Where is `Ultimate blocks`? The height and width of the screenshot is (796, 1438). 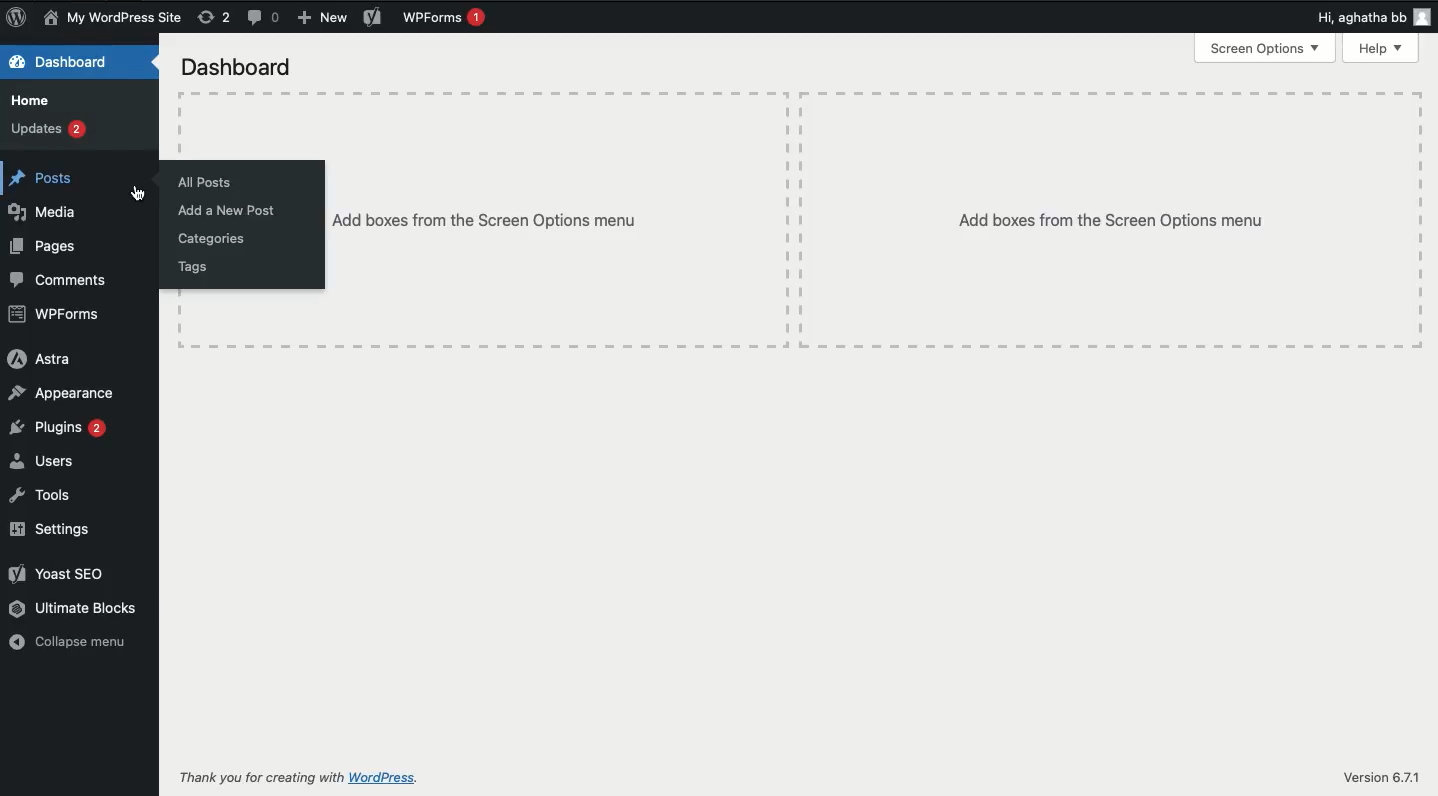 Ultimate blocks is located at coordinates (73, 607).